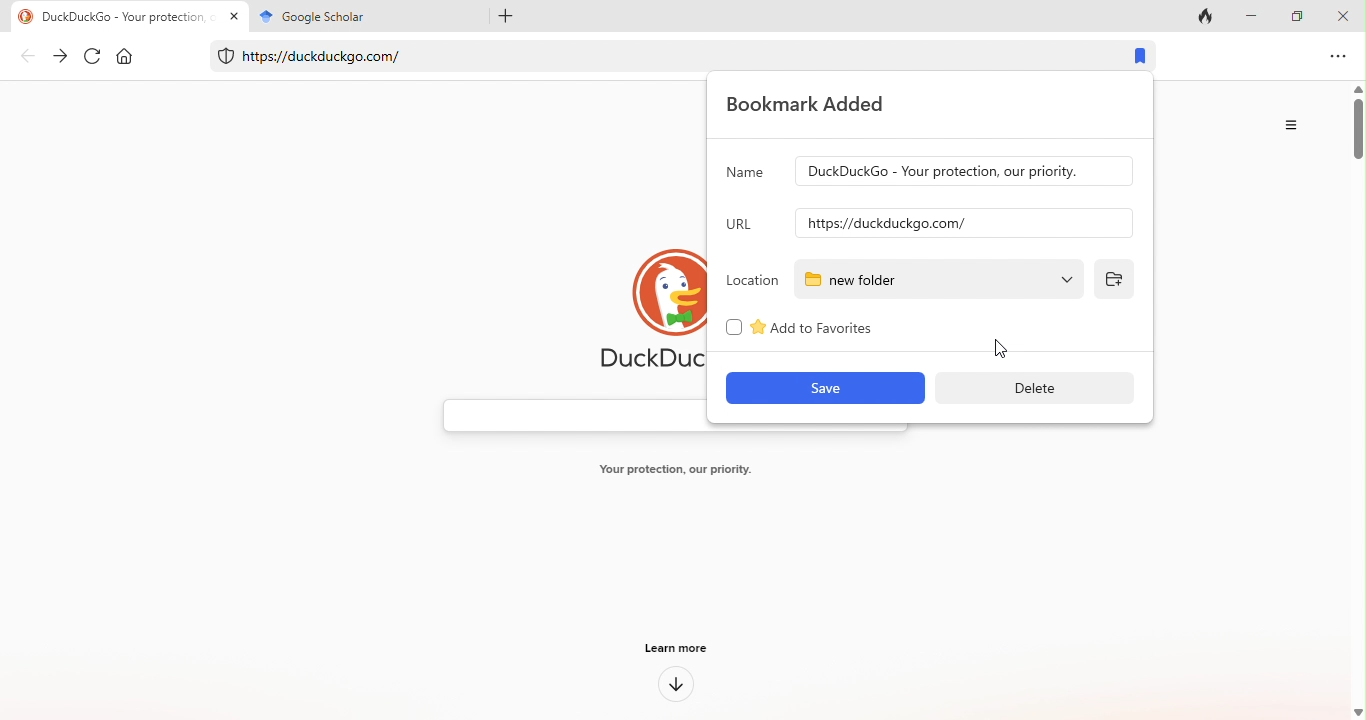 The height and width of the screenshot is (720, 1366). Describe the element at coordinates (741, 223) in the screenshot. I see `url` at that location.